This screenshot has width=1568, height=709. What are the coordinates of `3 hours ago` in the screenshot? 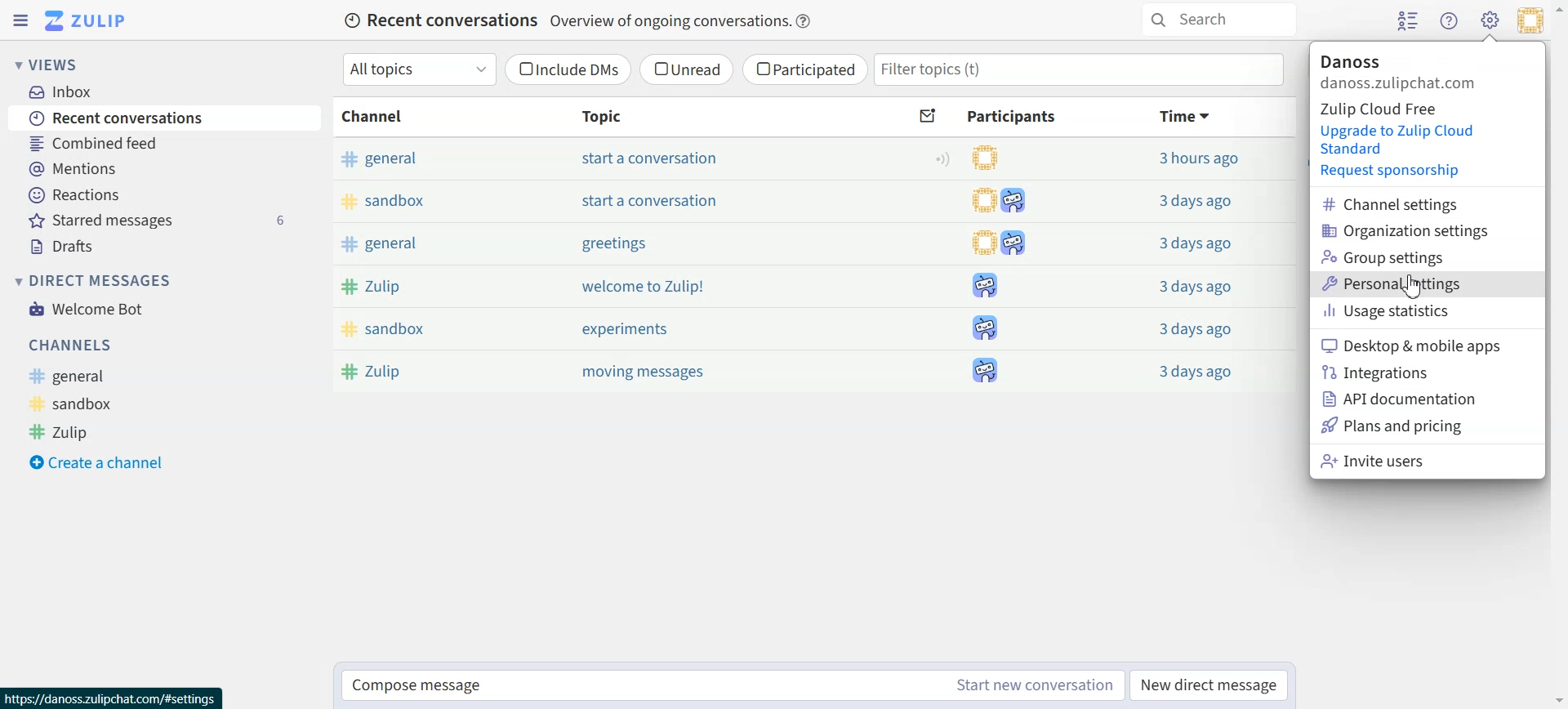 It's located at (1200, 158).